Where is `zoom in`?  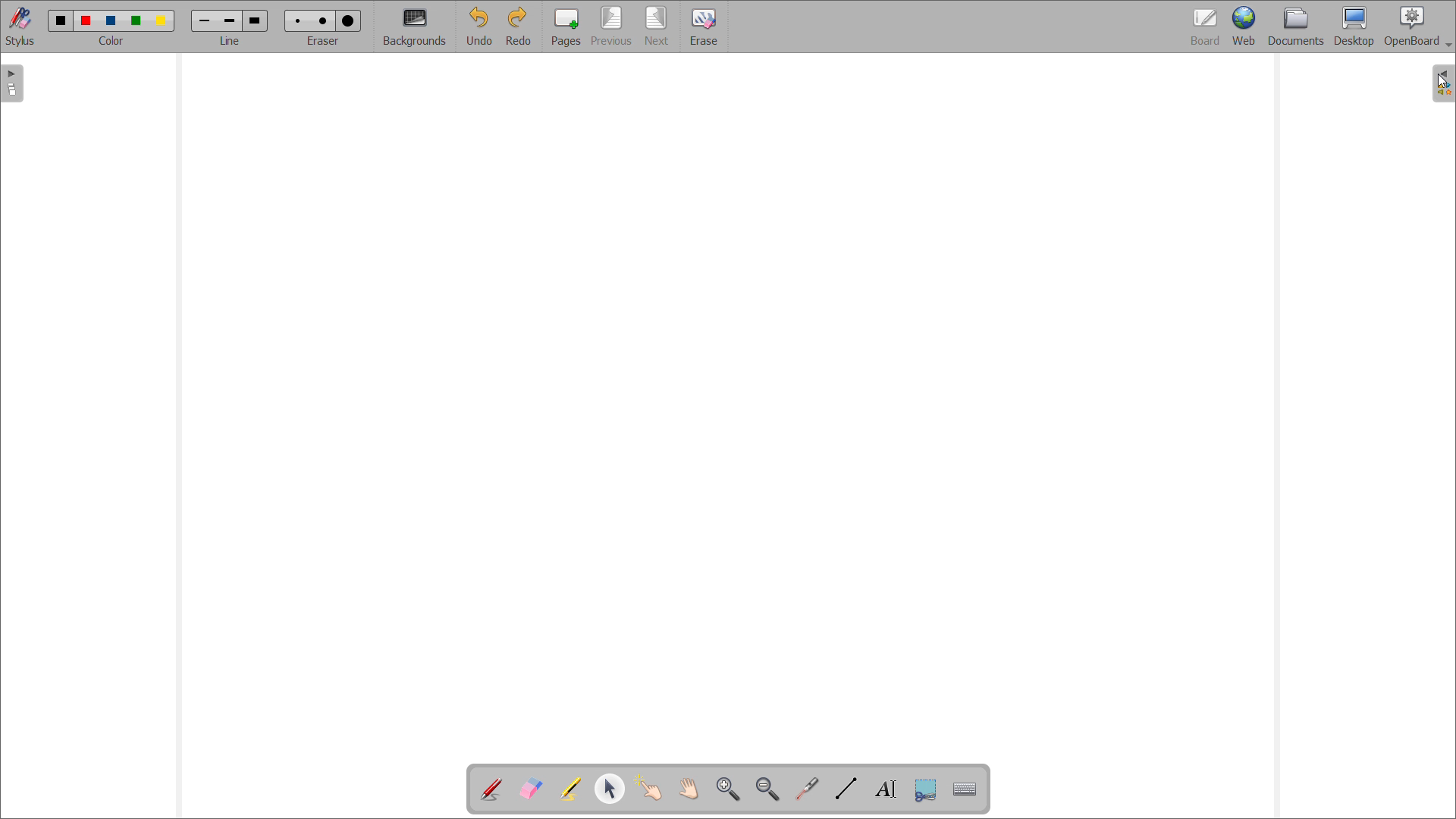 zoom in is located at coordinates (730, 789).